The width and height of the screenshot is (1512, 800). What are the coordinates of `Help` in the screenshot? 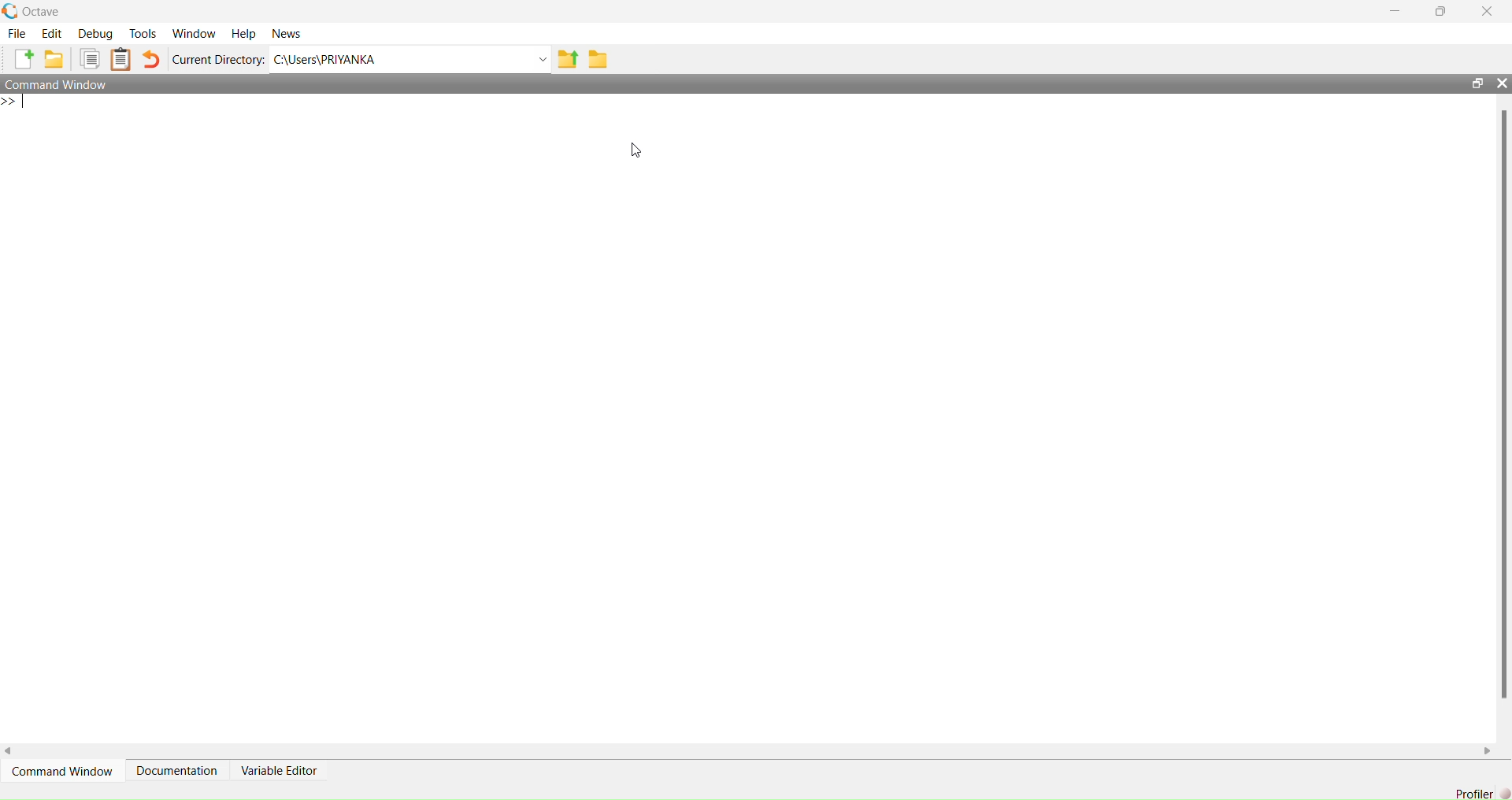 It's located at (243, 33).